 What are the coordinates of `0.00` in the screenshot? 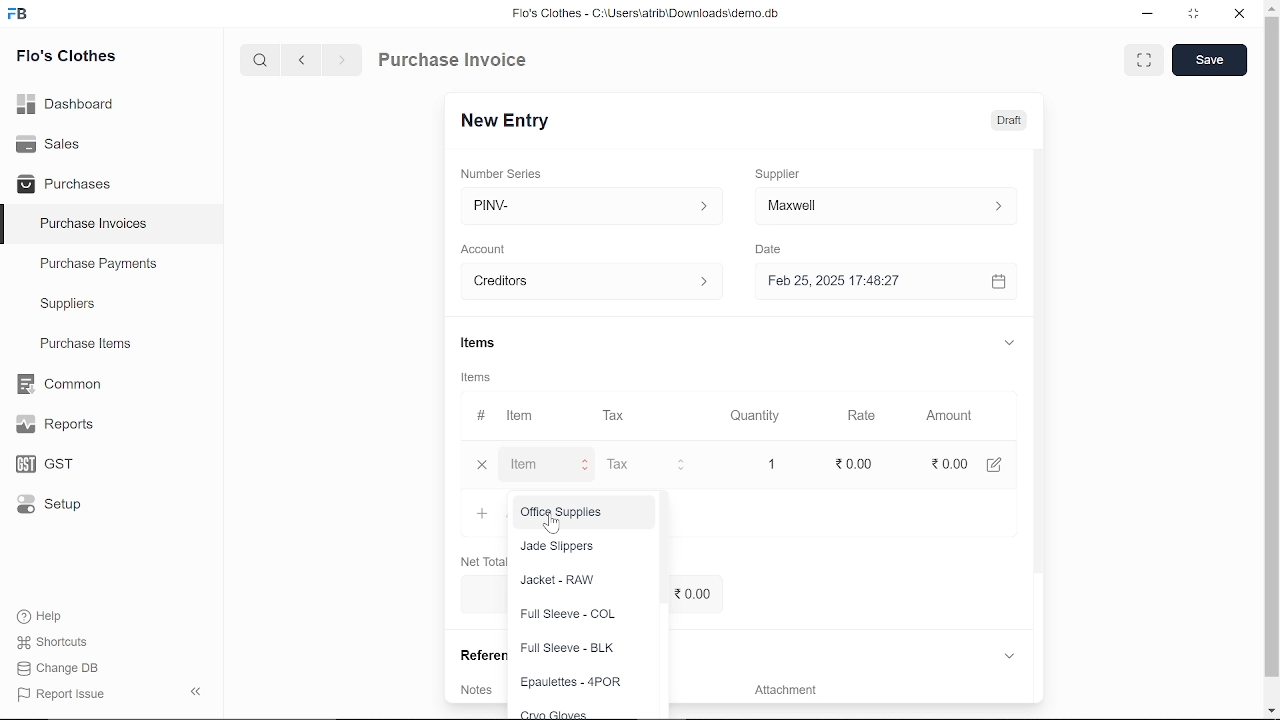 It's located at (954, 465).